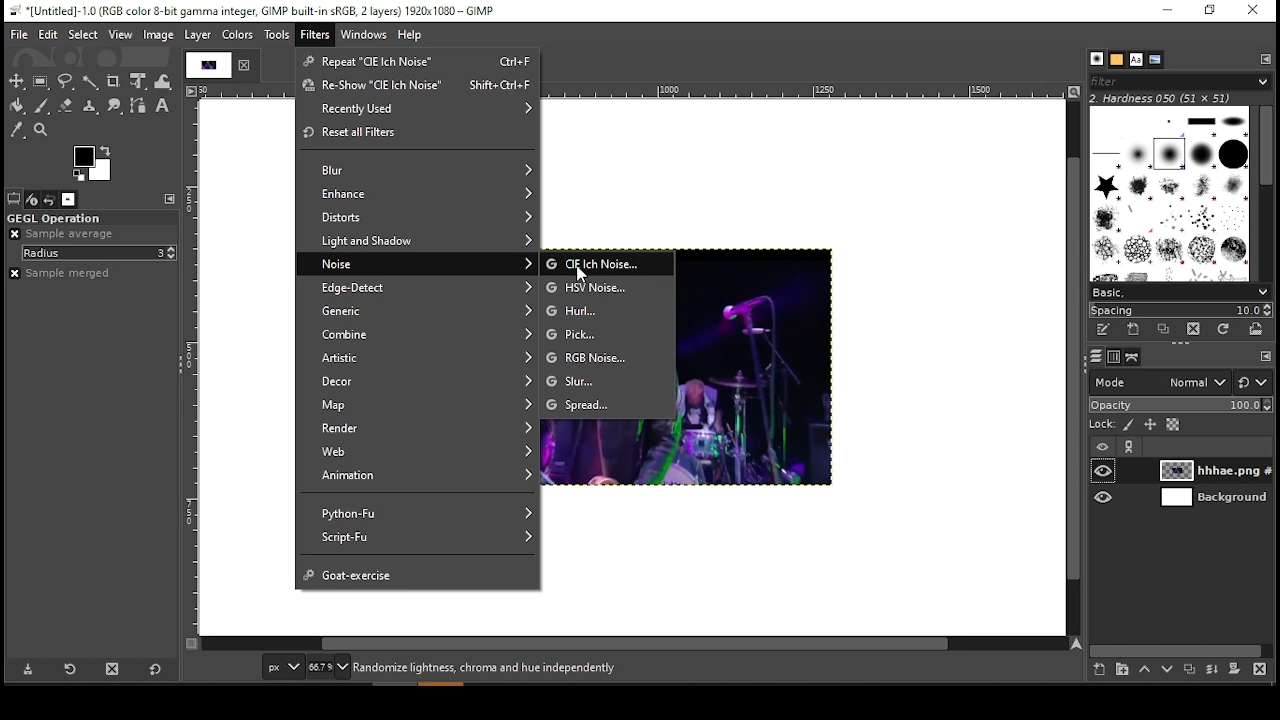 This screenshot has height=720, width=1280. What do you see at coordinates (416, 169) in the screenshot?
I see `blur` at bounding box center [416, 169].